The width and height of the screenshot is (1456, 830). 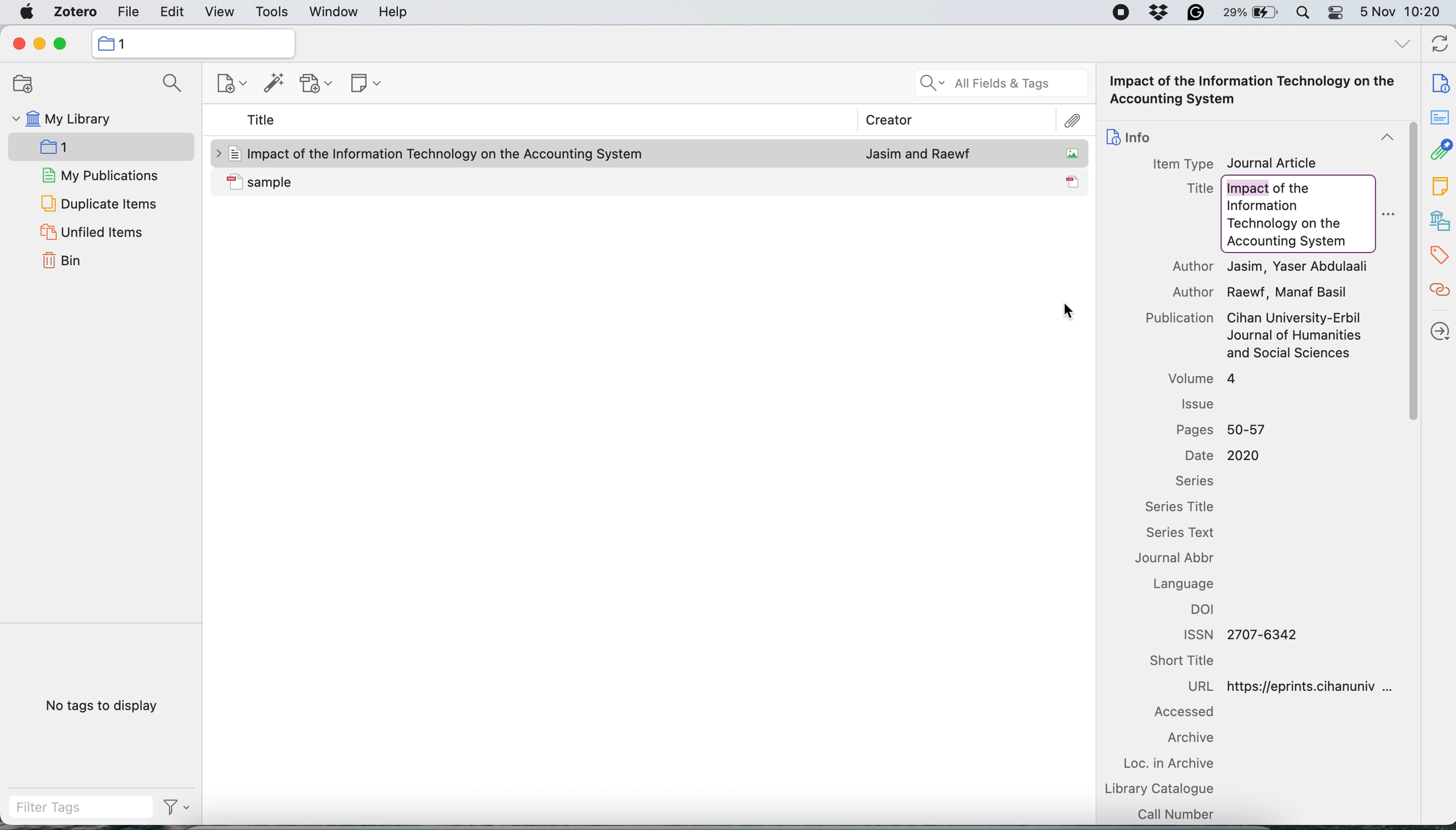 I want to click on icon, so click(x=233, y=153).